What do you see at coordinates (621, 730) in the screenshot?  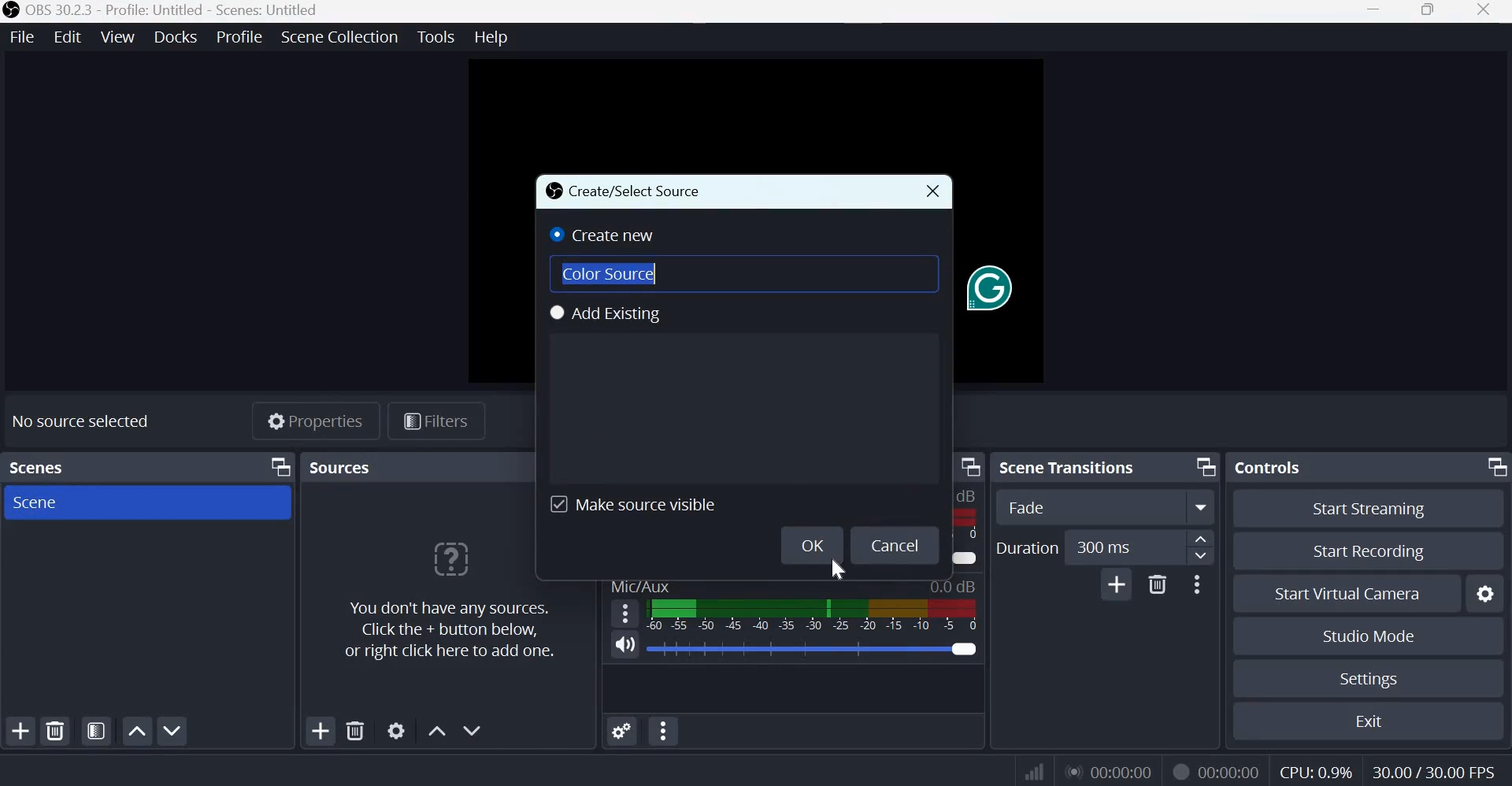 I see `Advanced audio properties` at bounding box center [621, 730].